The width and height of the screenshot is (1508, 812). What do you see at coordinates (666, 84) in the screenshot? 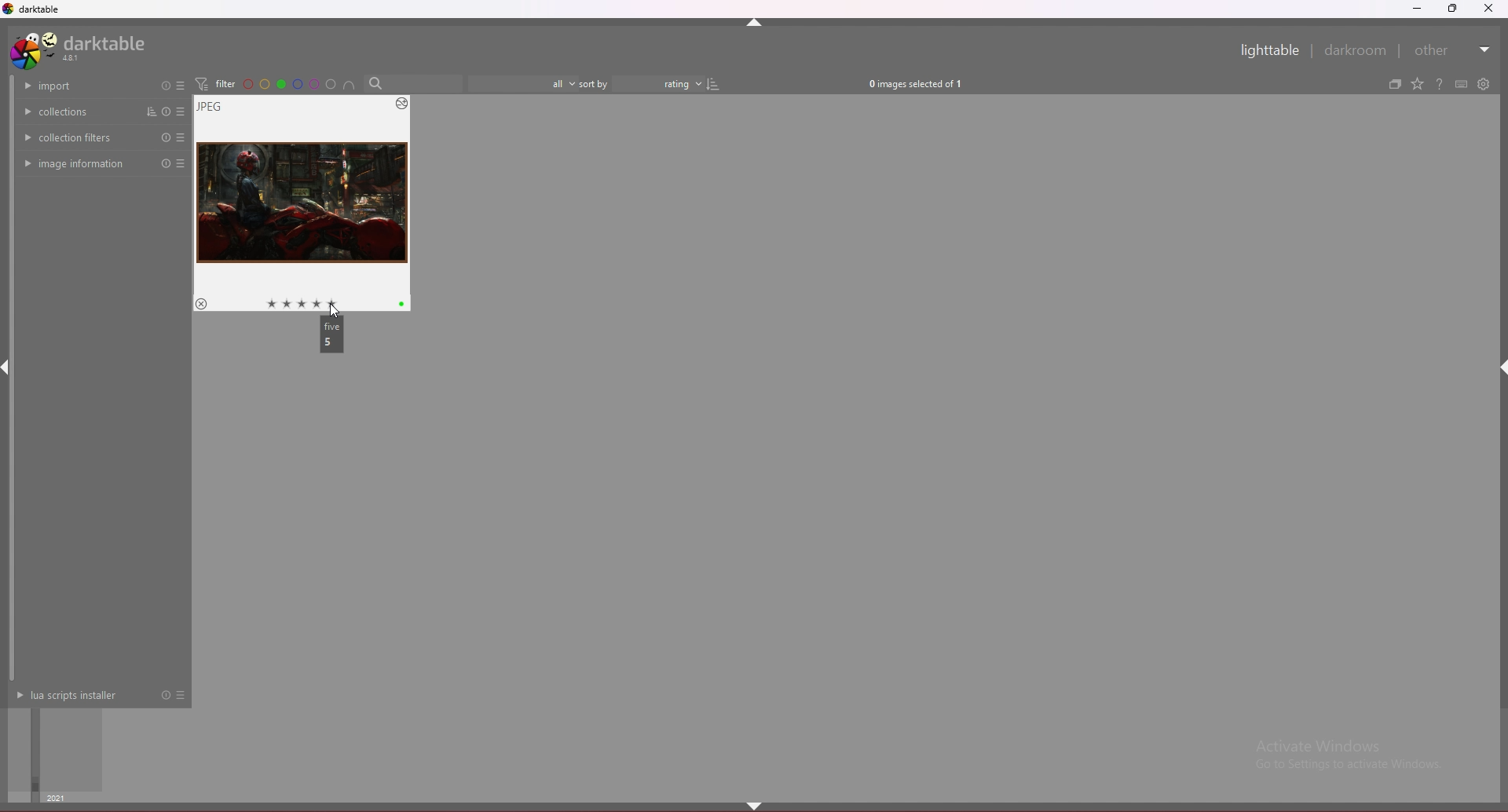
I see `determine sort order` at bounding box center [666, 84].